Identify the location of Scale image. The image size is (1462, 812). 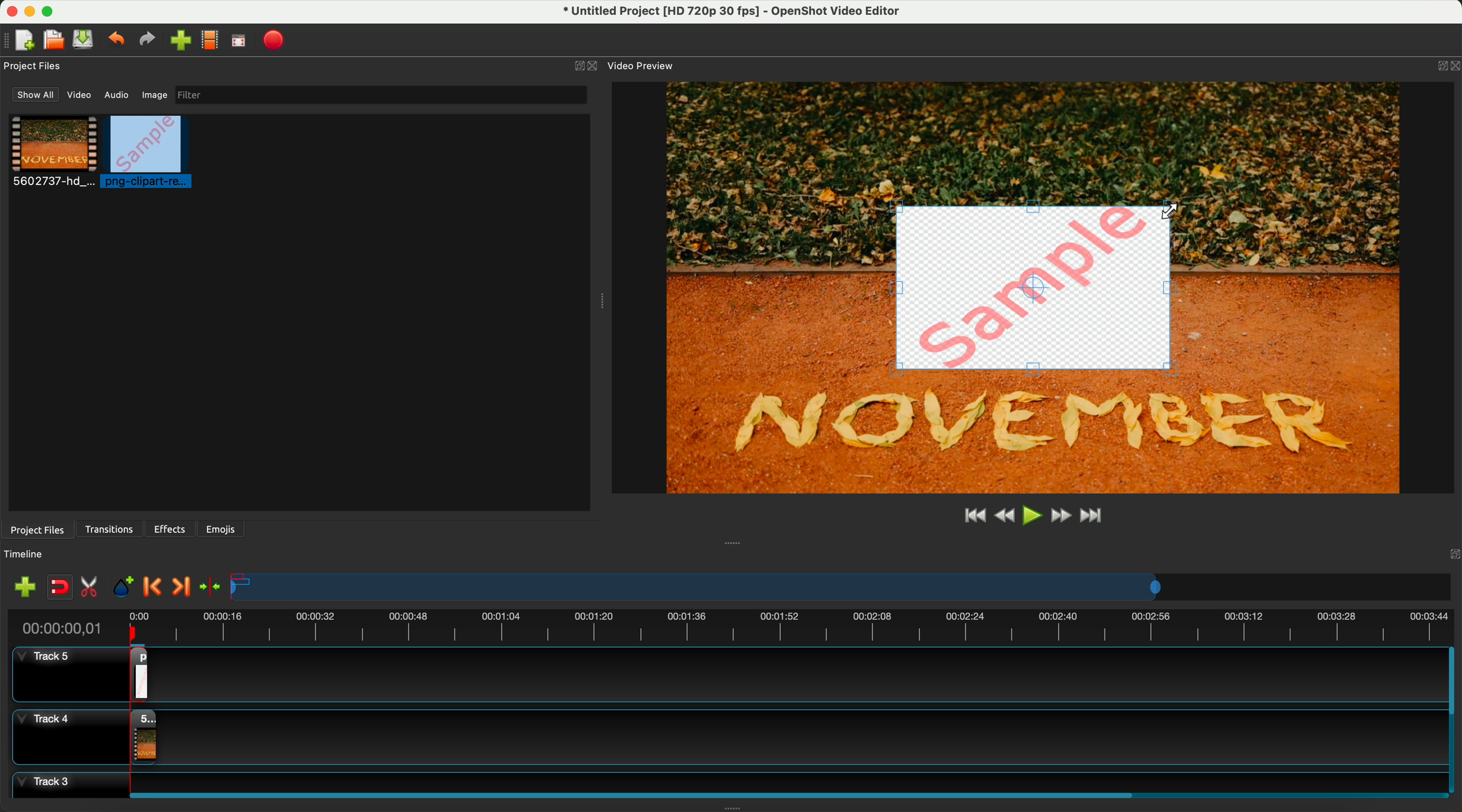
(1173, 207).